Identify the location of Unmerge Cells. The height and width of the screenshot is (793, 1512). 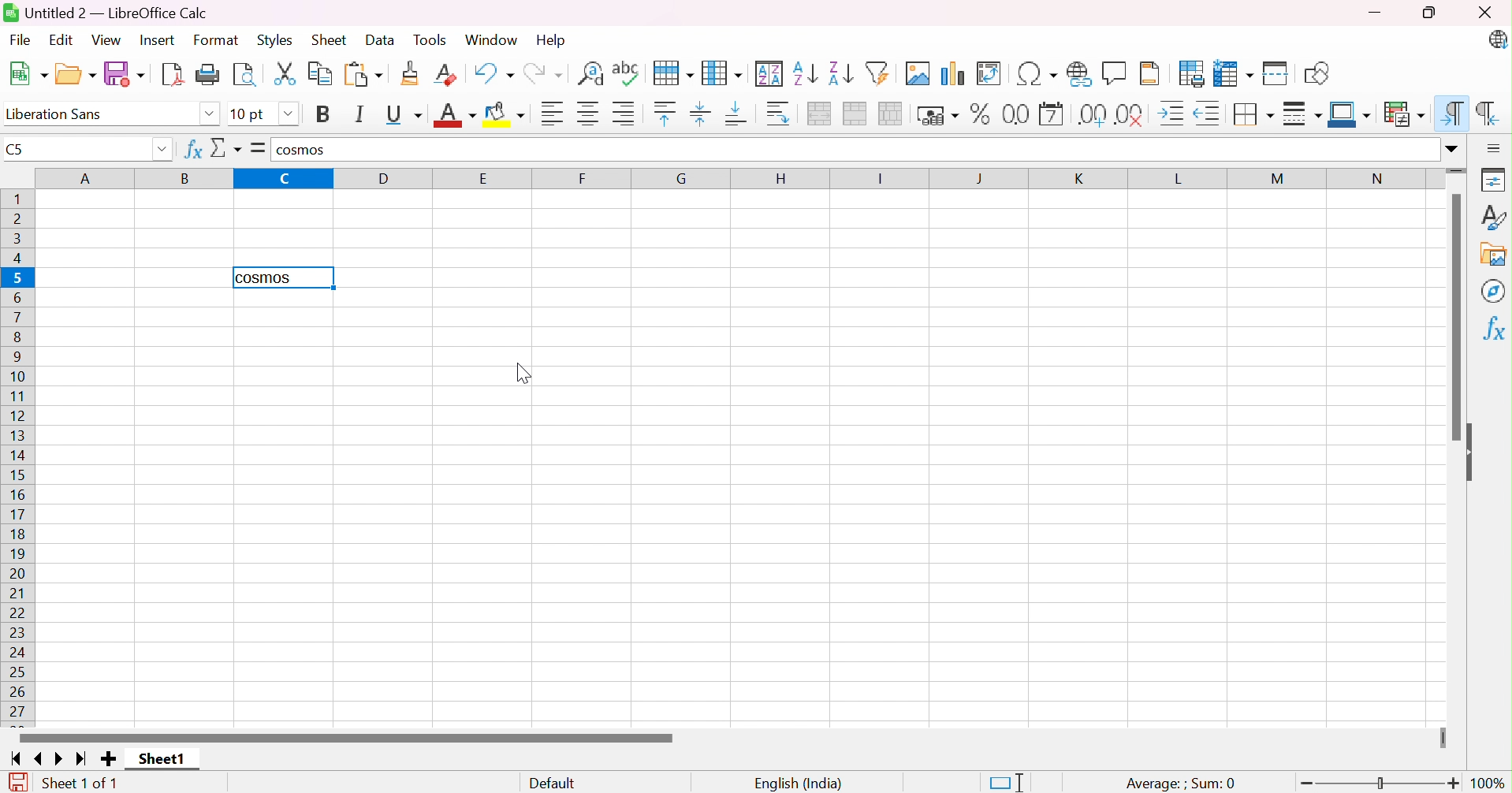
(893, 114).